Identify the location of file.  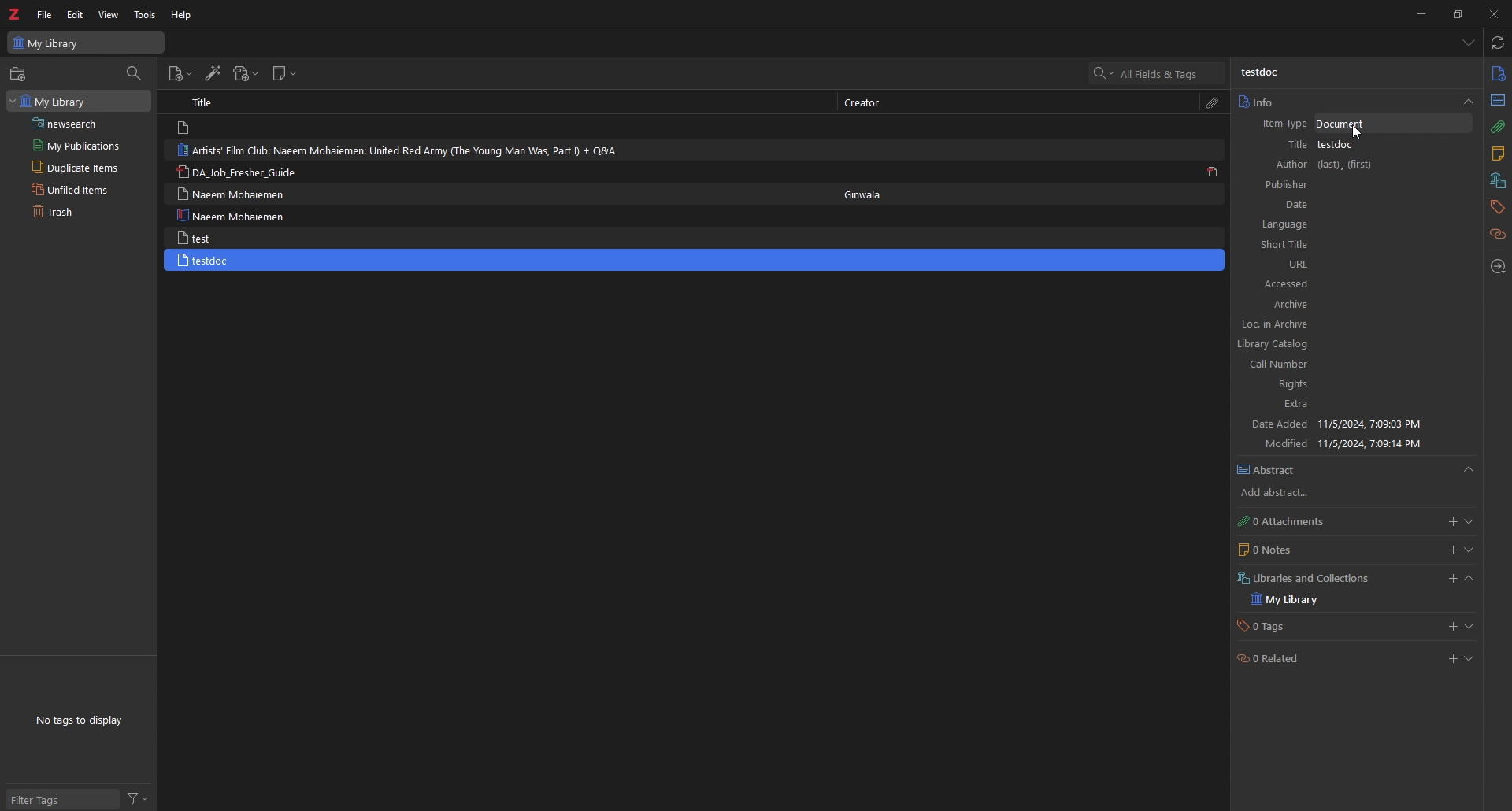
(45, 14).